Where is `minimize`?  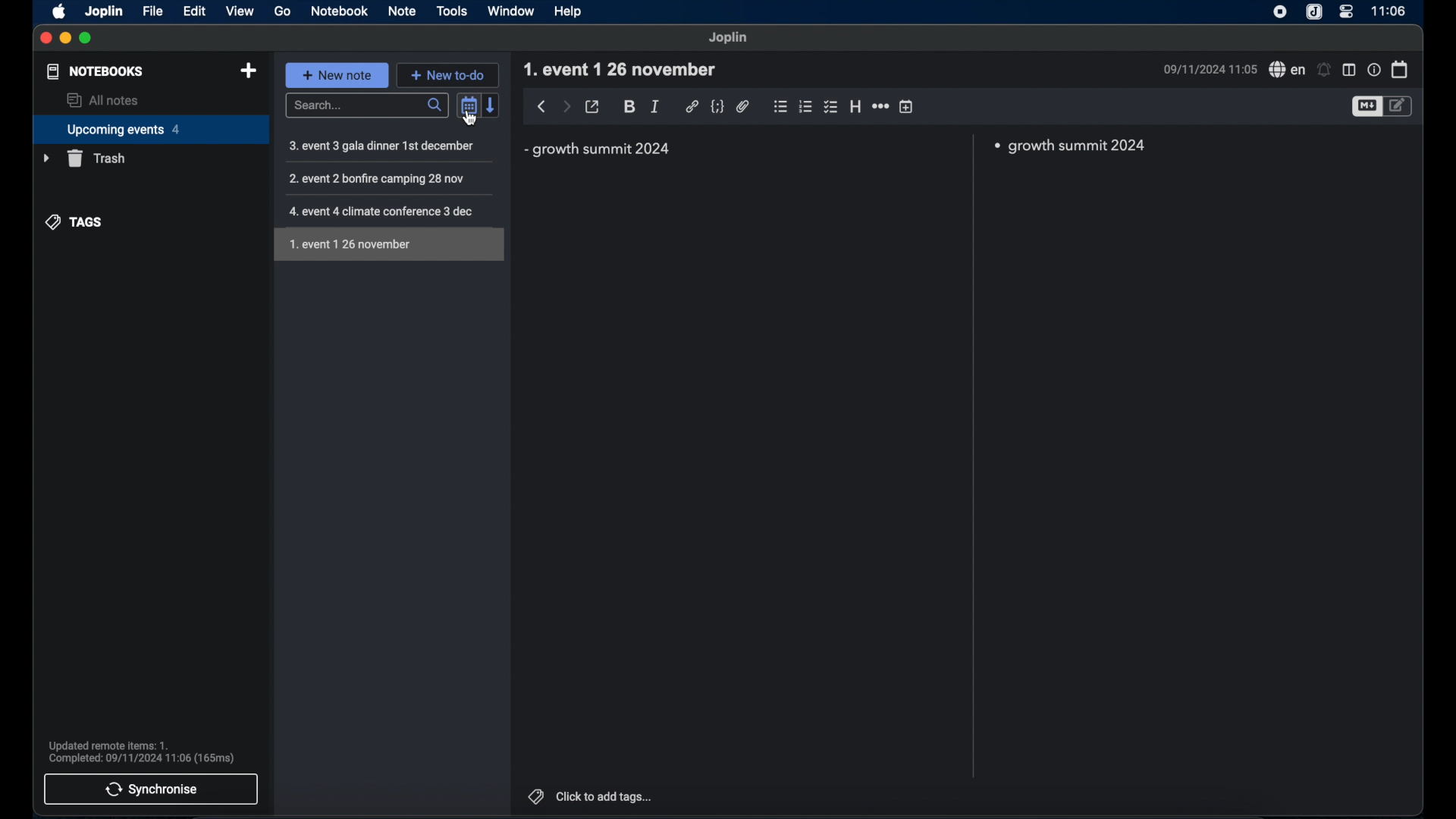 minimize is located at coordinates (64, 38).